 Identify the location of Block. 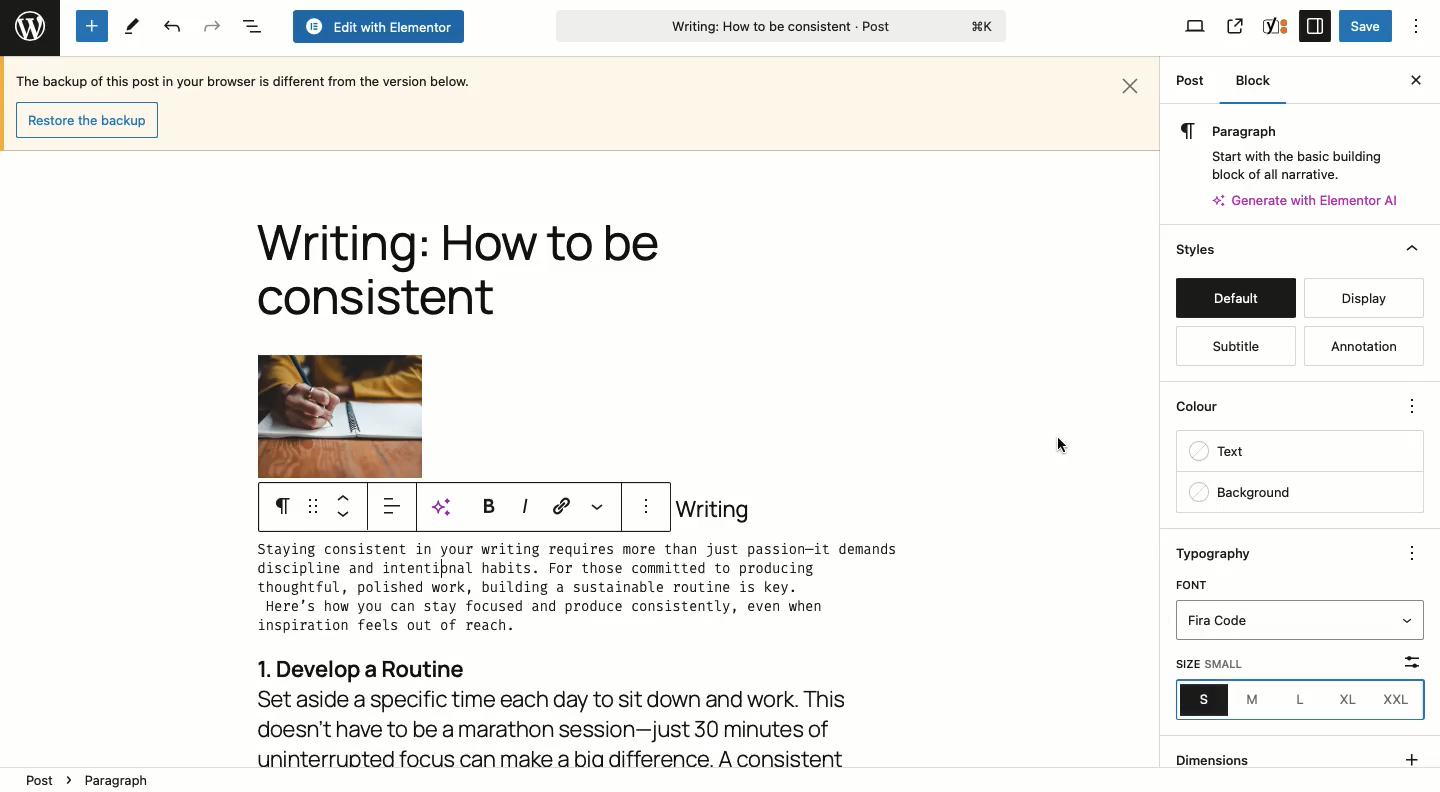
(1261, 81).